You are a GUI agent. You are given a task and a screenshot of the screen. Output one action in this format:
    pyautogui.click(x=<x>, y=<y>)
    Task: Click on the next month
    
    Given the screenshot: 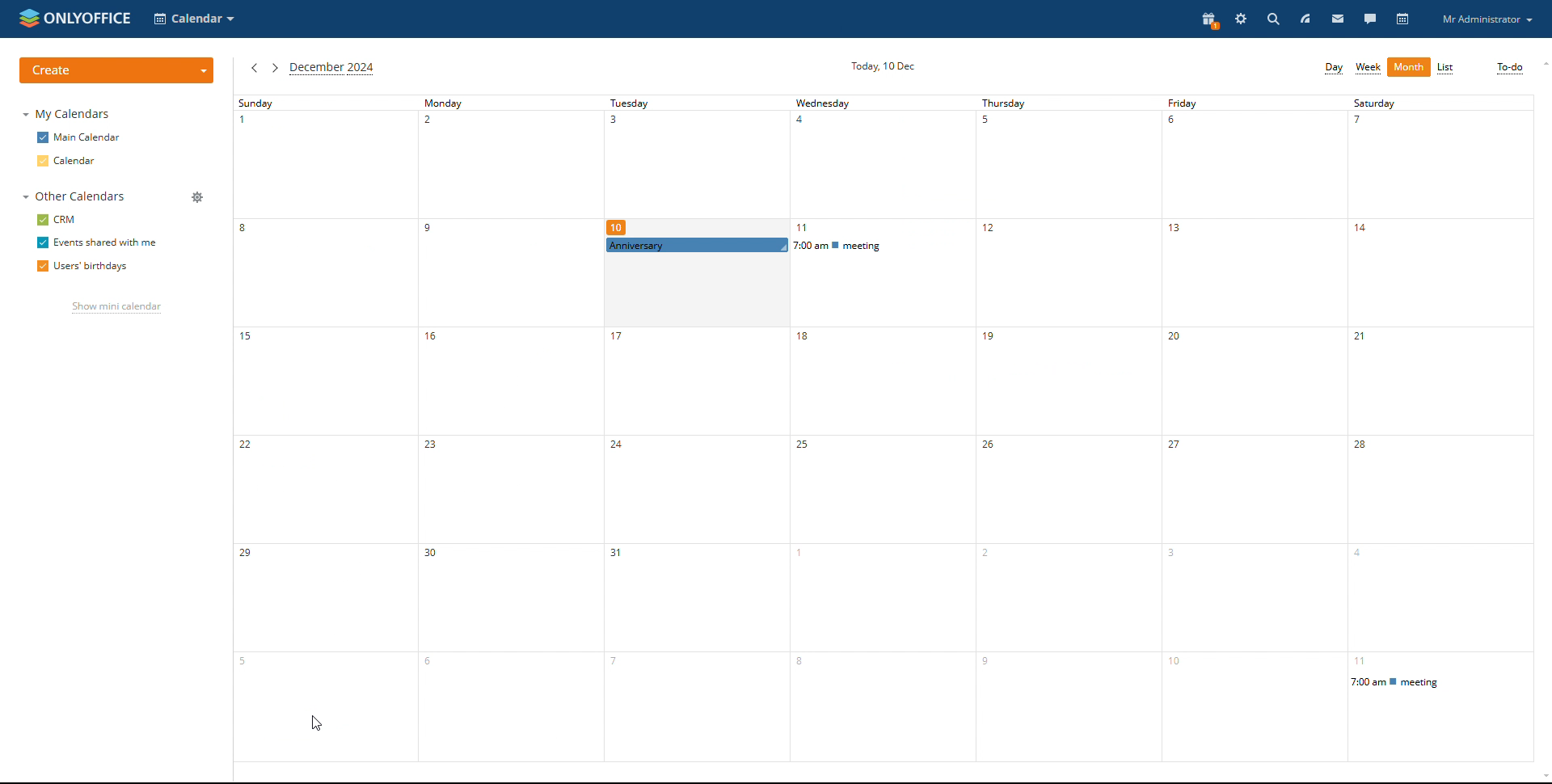 What is the action you would take?
    pyautogui.click(x=275, y=68)
    